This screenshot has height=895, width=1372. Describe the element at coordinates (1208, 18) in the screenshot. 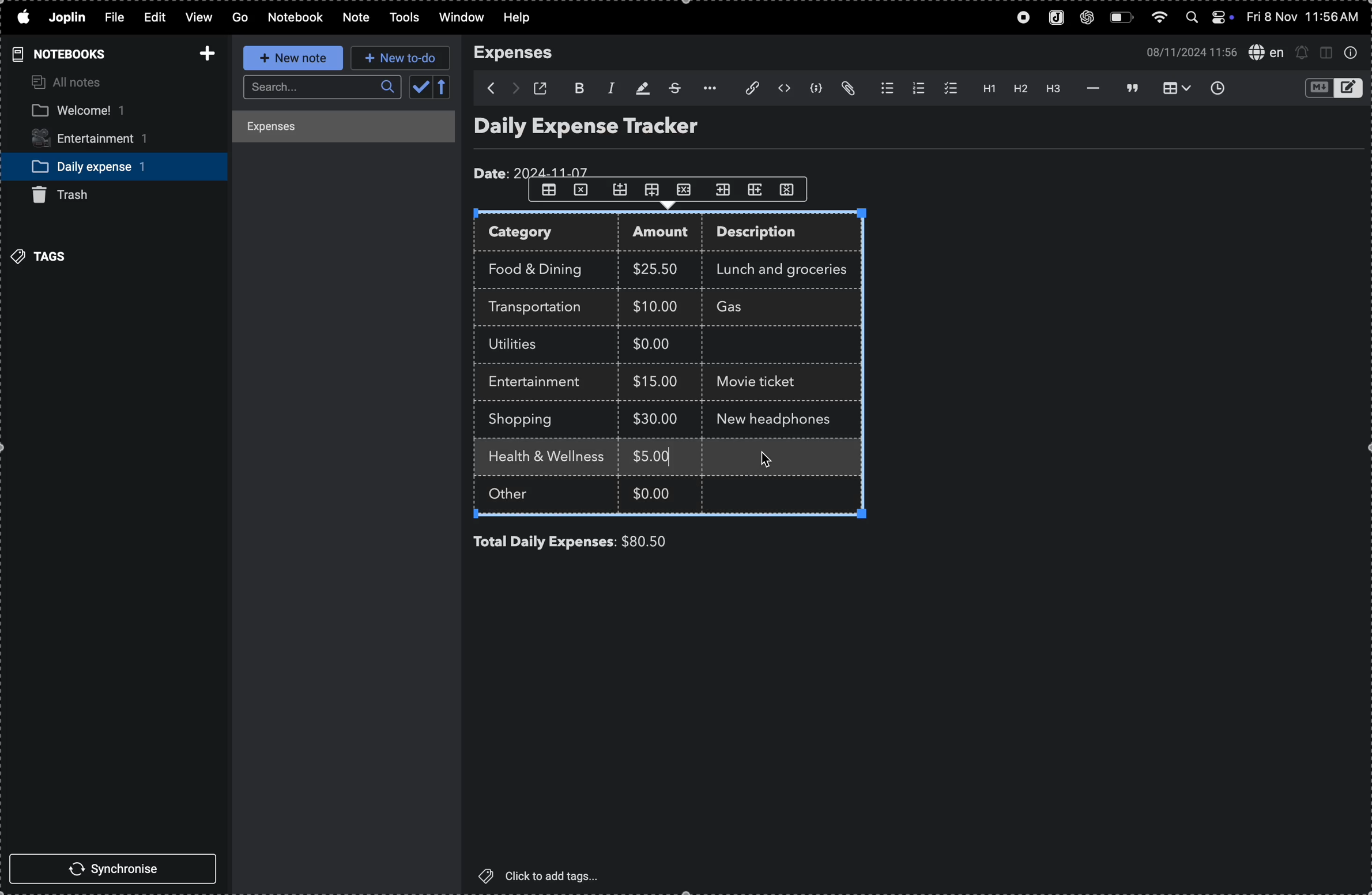

I see `apple widgets` at that location.